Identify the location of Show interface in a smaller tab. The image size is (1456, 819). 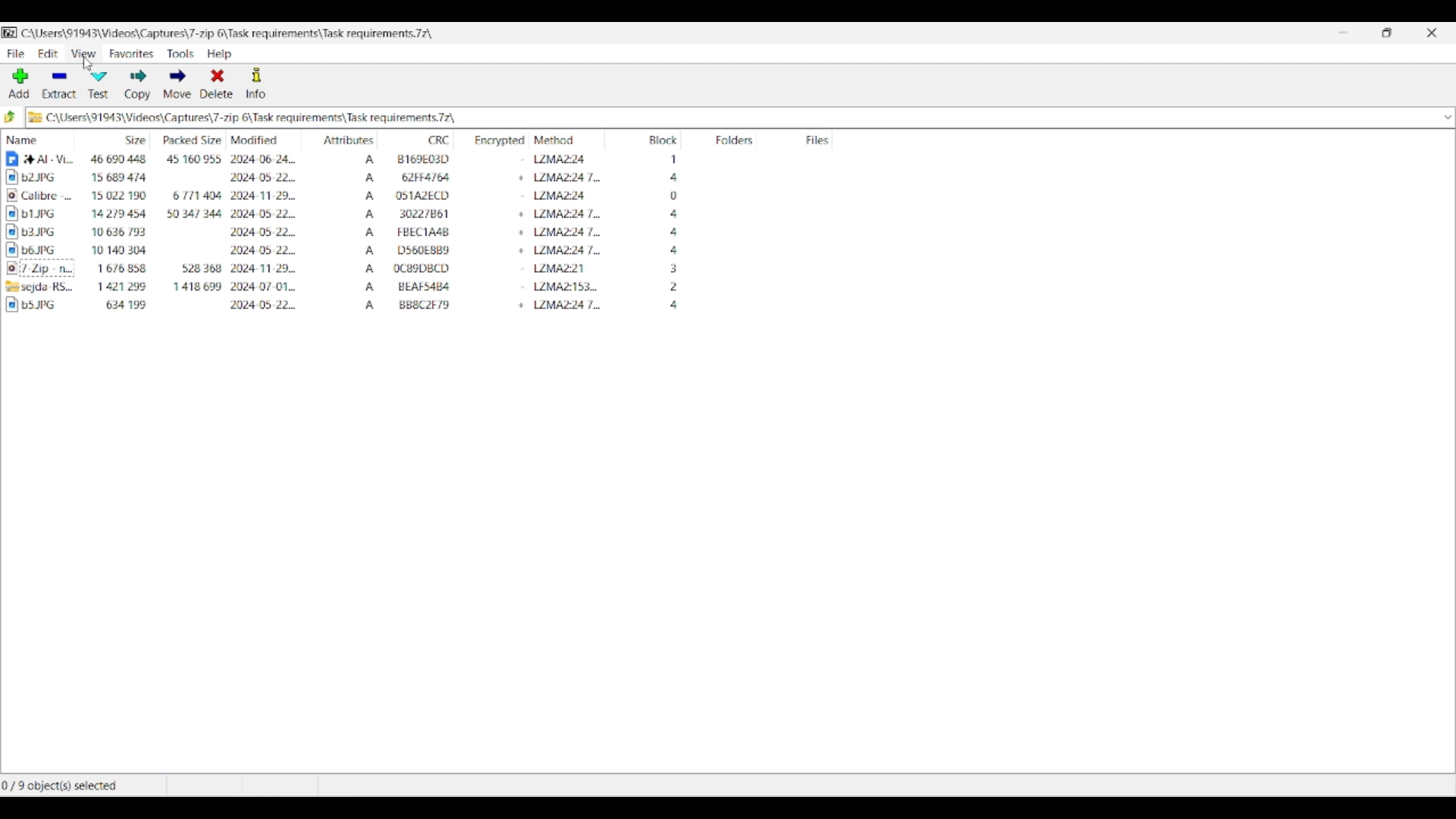
(1387, 33).